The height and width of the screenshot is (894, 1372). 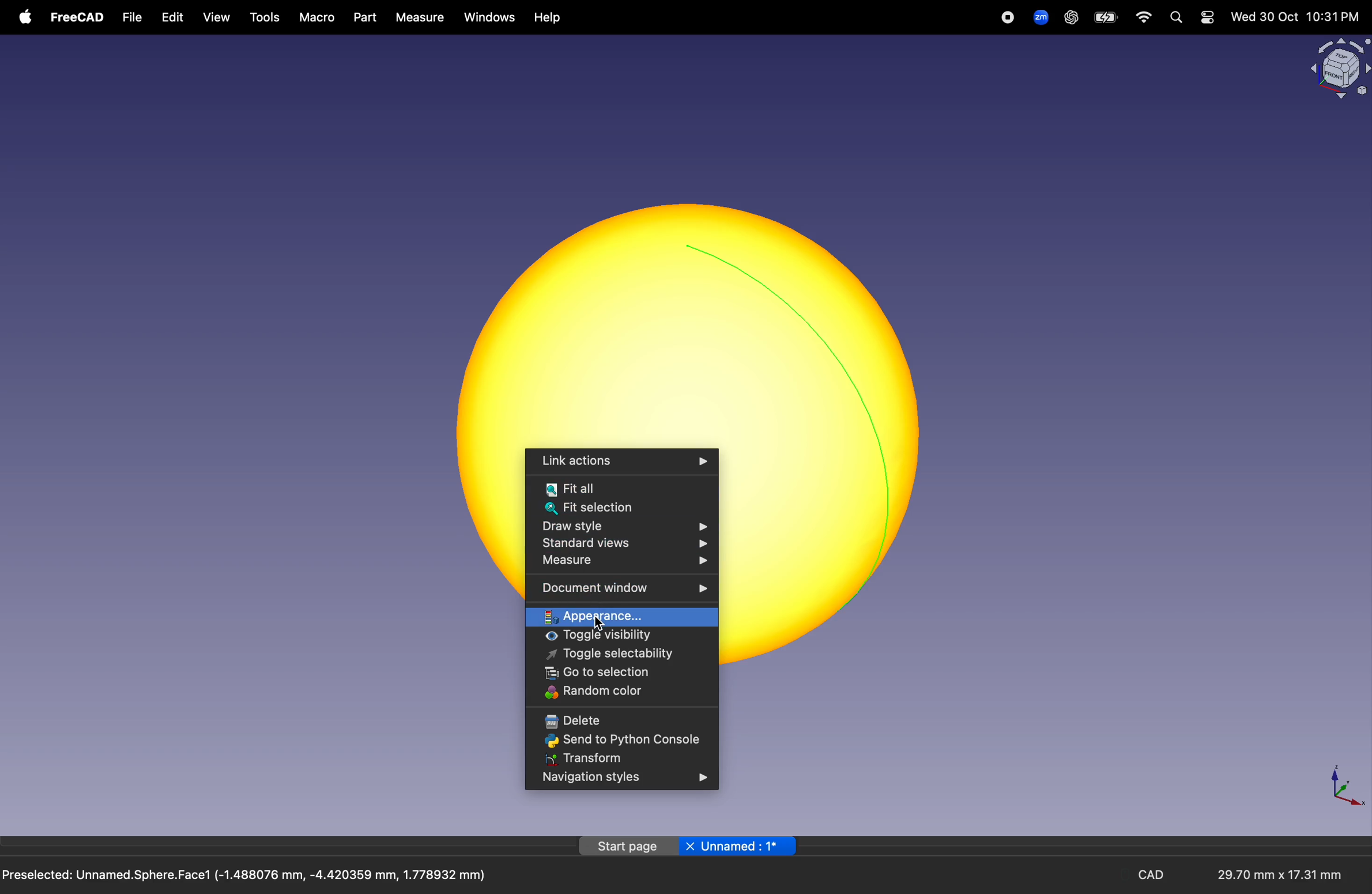 I want to click on measure, so click(x=621, y=562).